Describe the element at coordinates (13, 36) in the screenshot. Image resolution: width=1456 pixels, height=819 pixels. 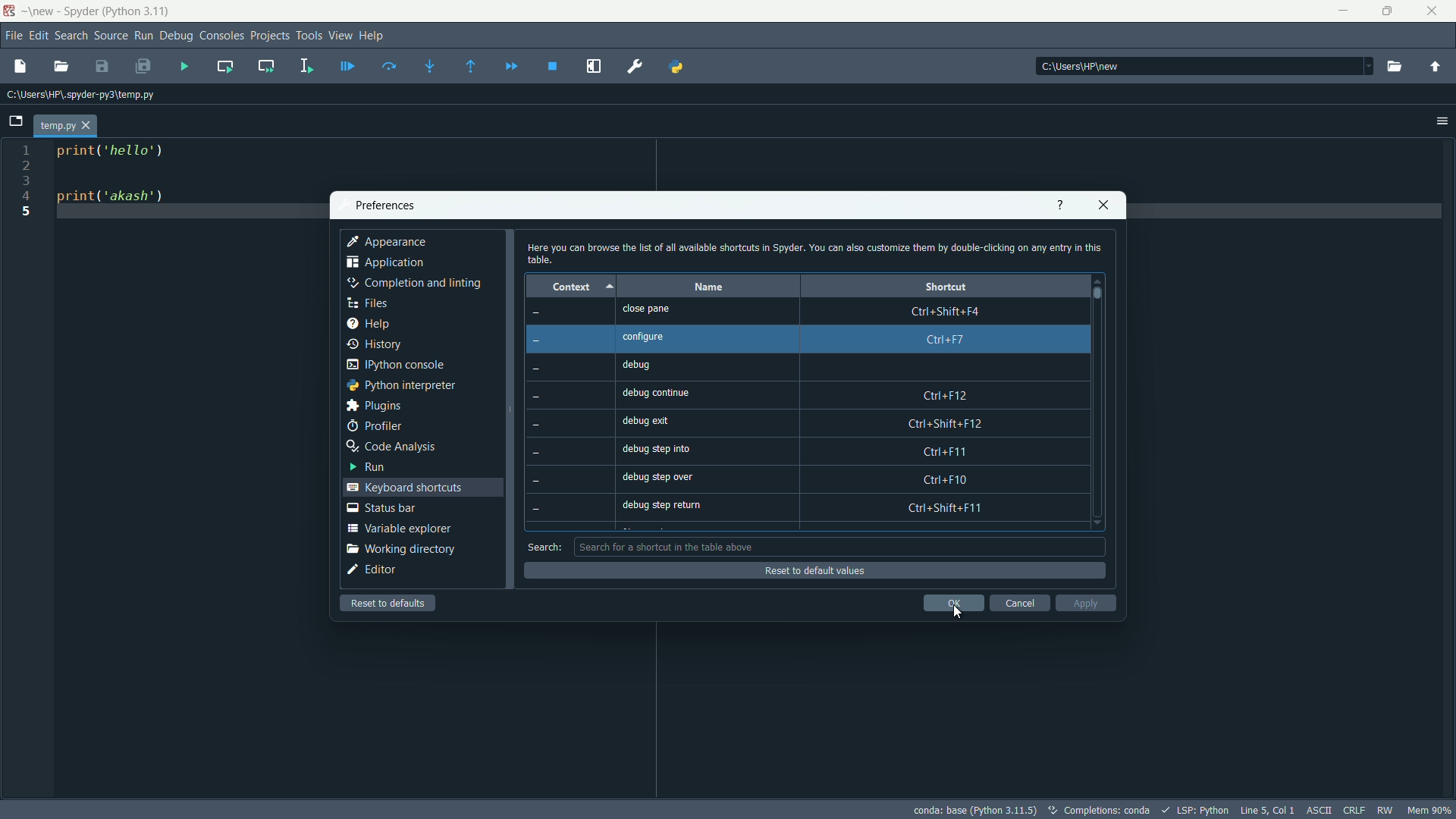
I see `file menu` at that location.